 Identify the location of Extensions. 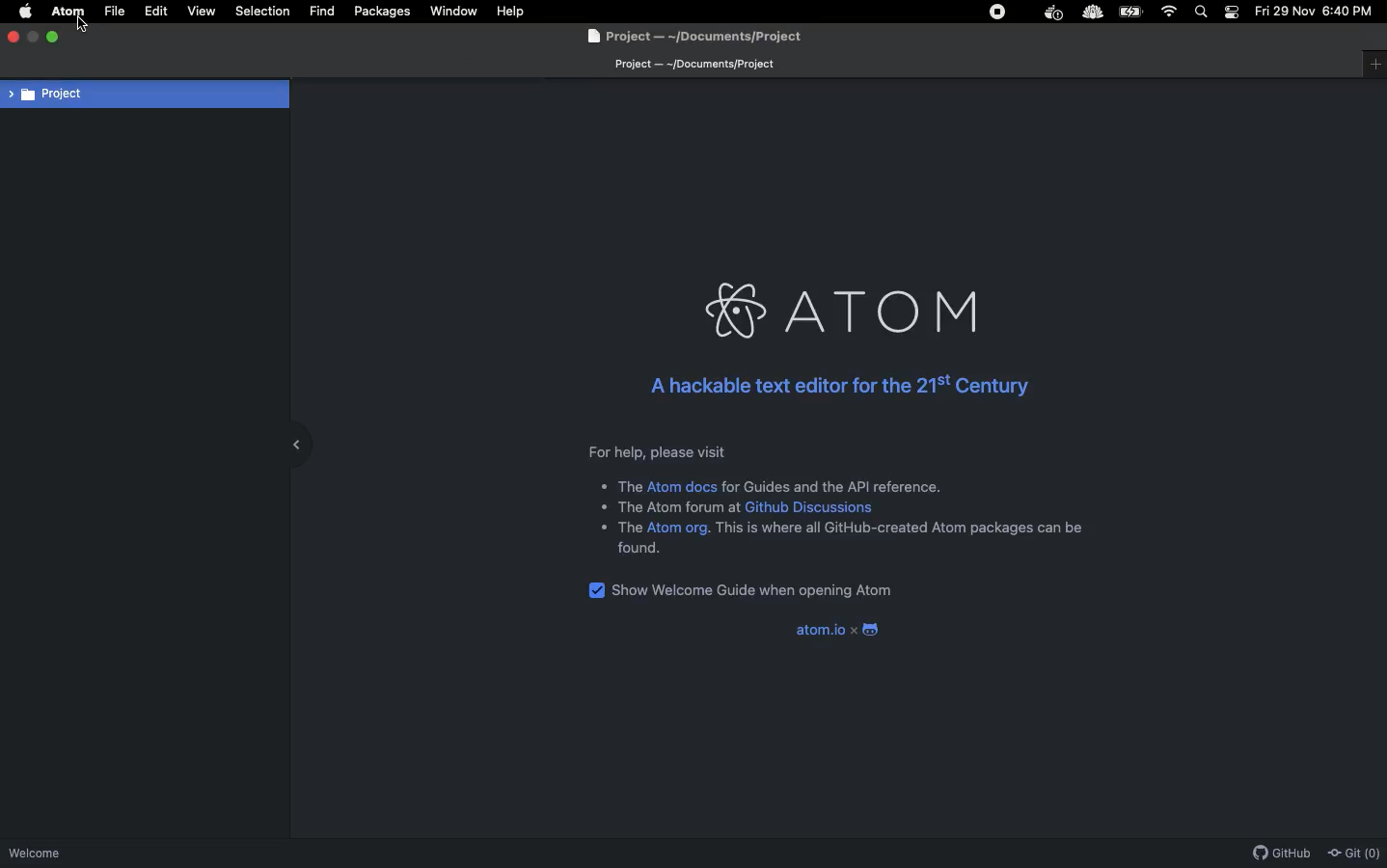
(1004, 12).